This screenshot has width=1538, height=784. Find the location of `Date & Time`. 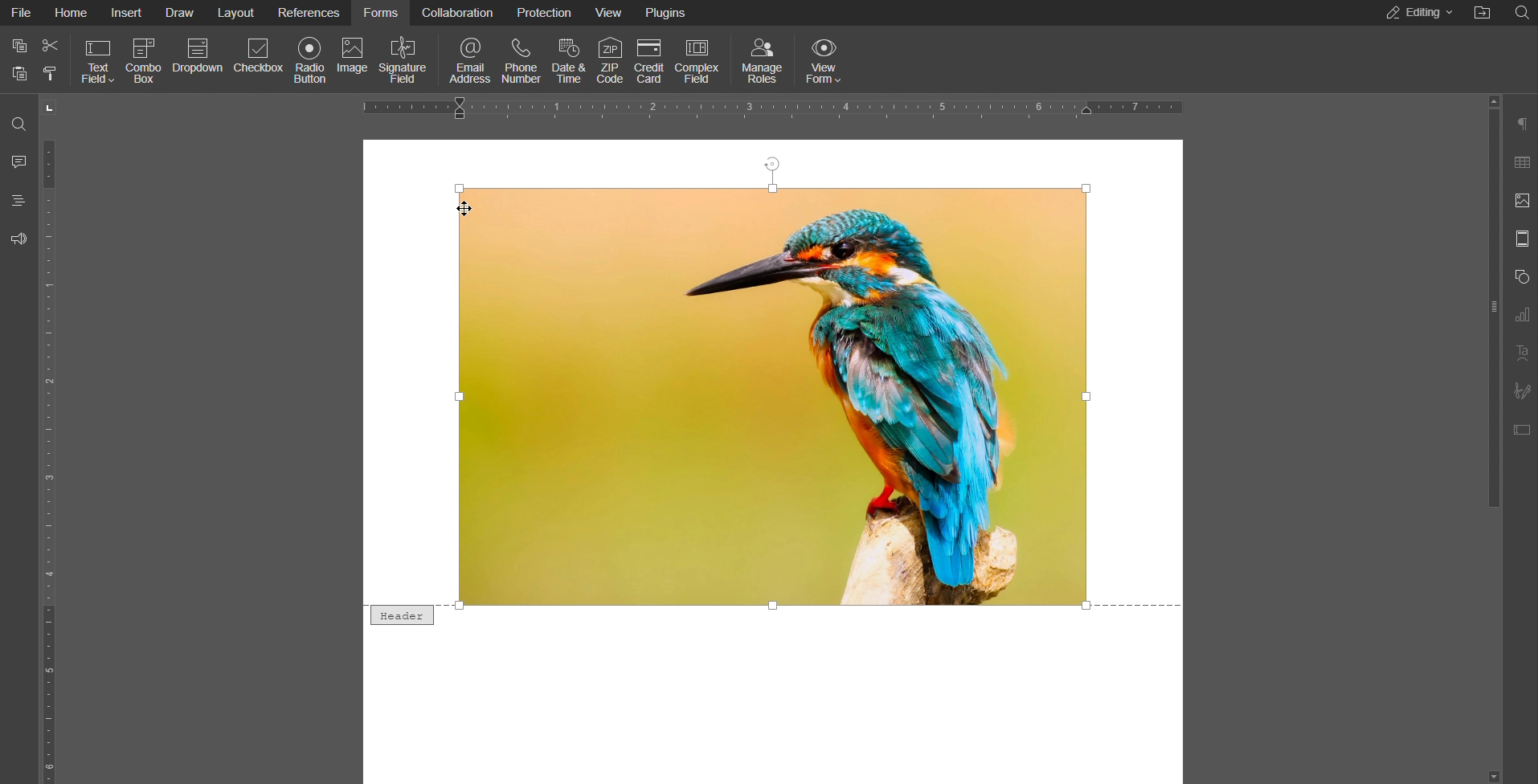

Date & Time is located at coordinates (570, 57).